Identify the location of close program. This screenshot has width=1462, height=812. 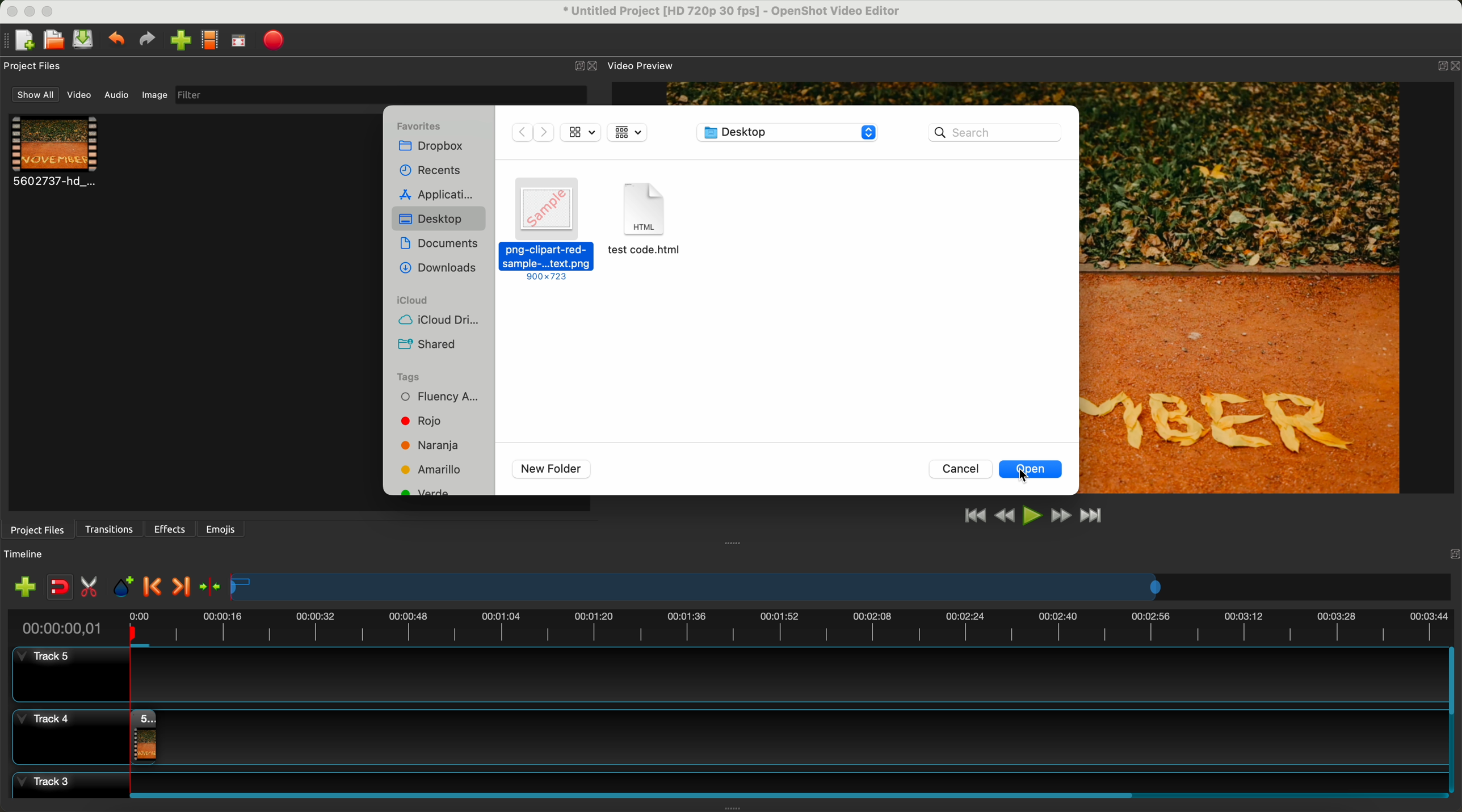
(9, 10).